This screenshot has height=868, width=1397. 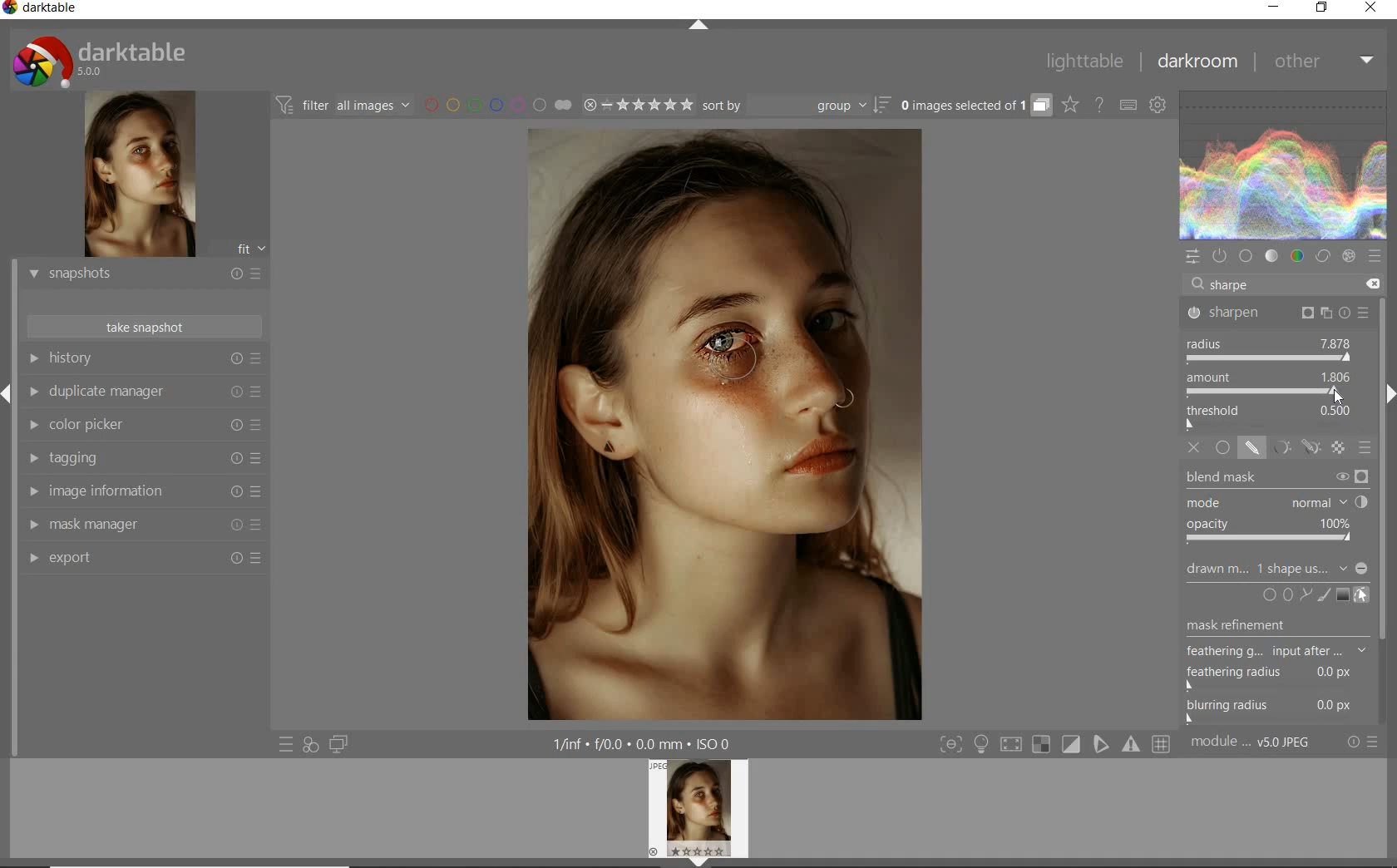 What do you see at coordinates (1222, 256) in the screenshot?
I see `show only active modules` at bounding box center [1222, 256].